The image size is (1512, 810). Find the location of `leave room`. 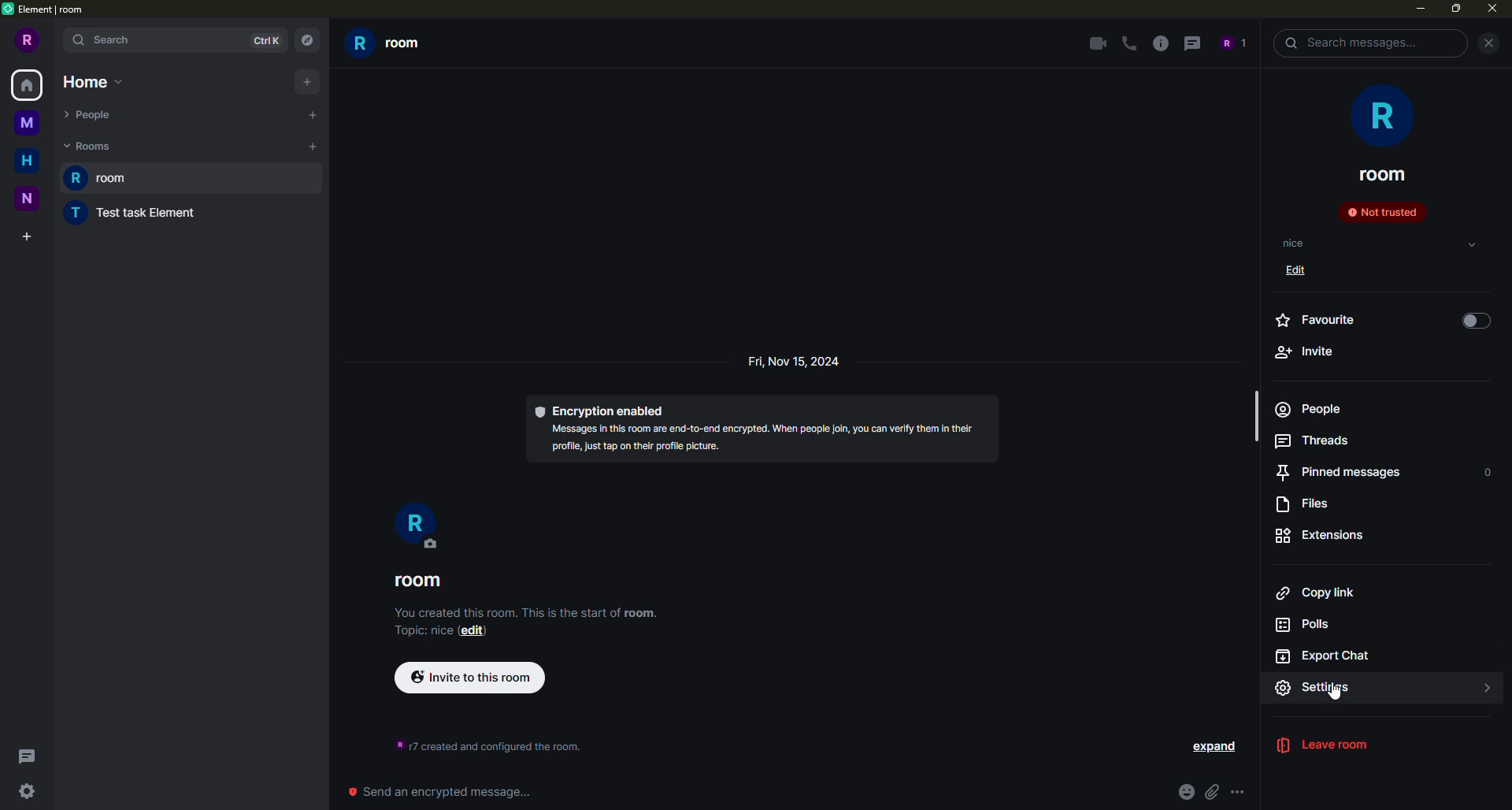

leave room is located at coordinates (1335, 746).